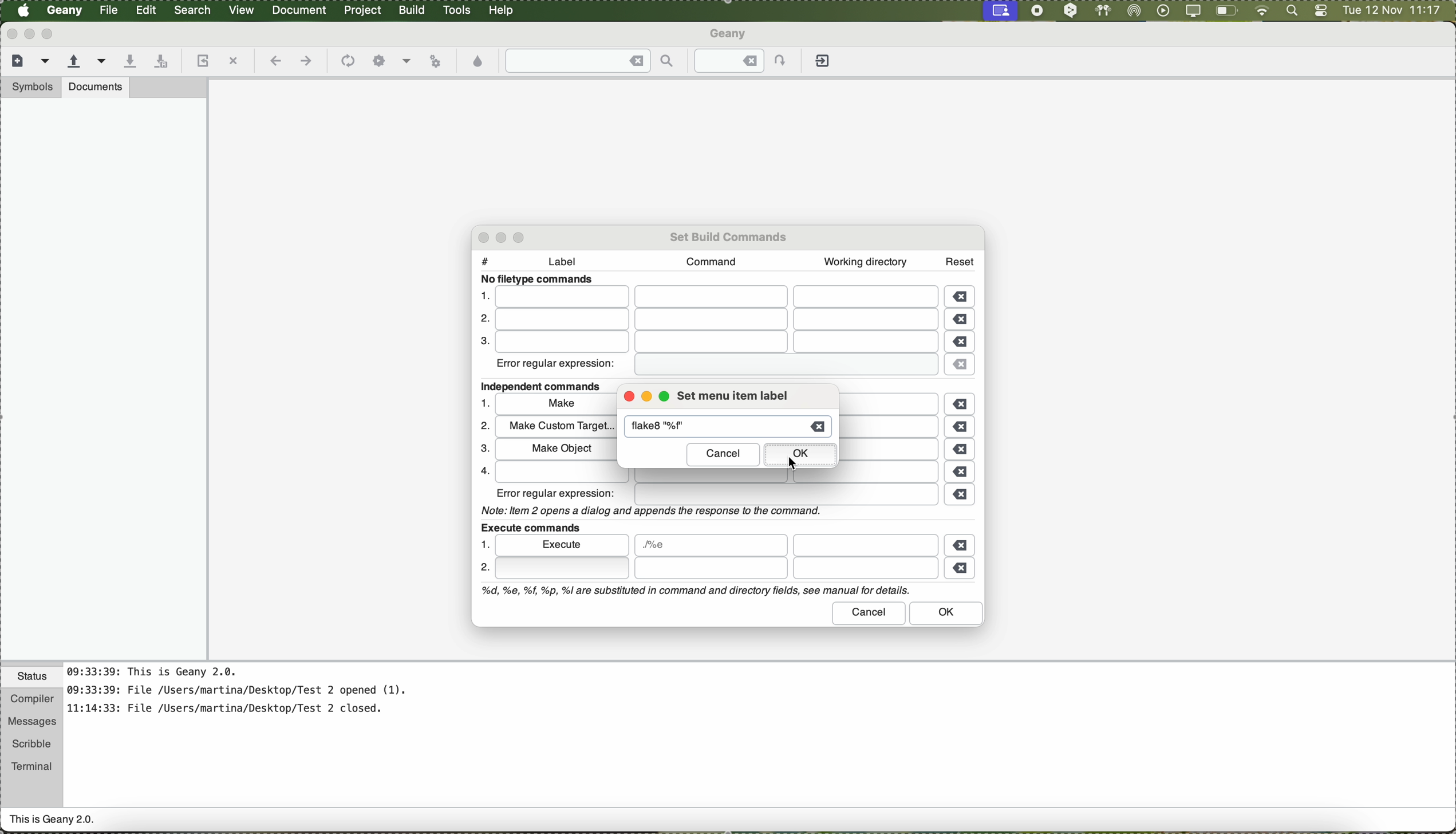 This screenshot has height=834, width=1456. I want to click on file, so click(720, 477).